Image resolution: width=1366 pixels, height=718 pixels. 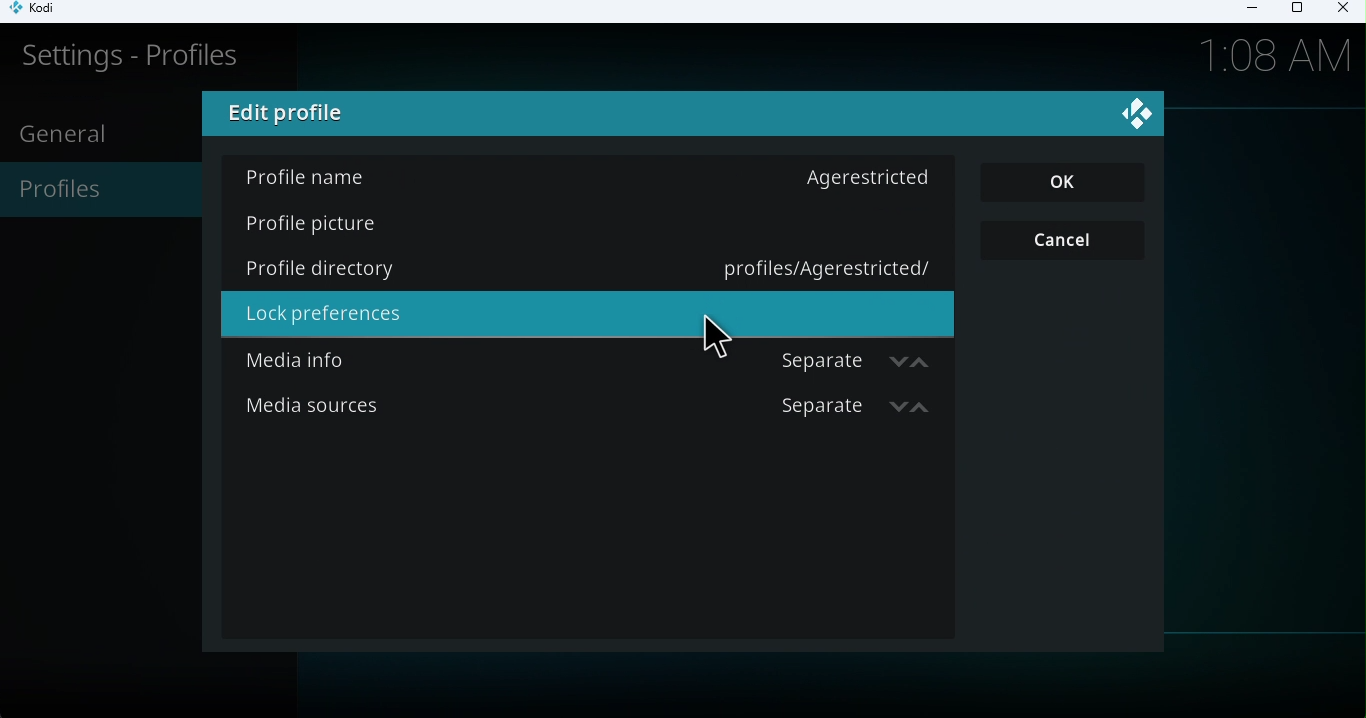 What do you see at coordinates (95, 192) in the screenshot?
I see `Profiles` at bounding box center [95, 192].